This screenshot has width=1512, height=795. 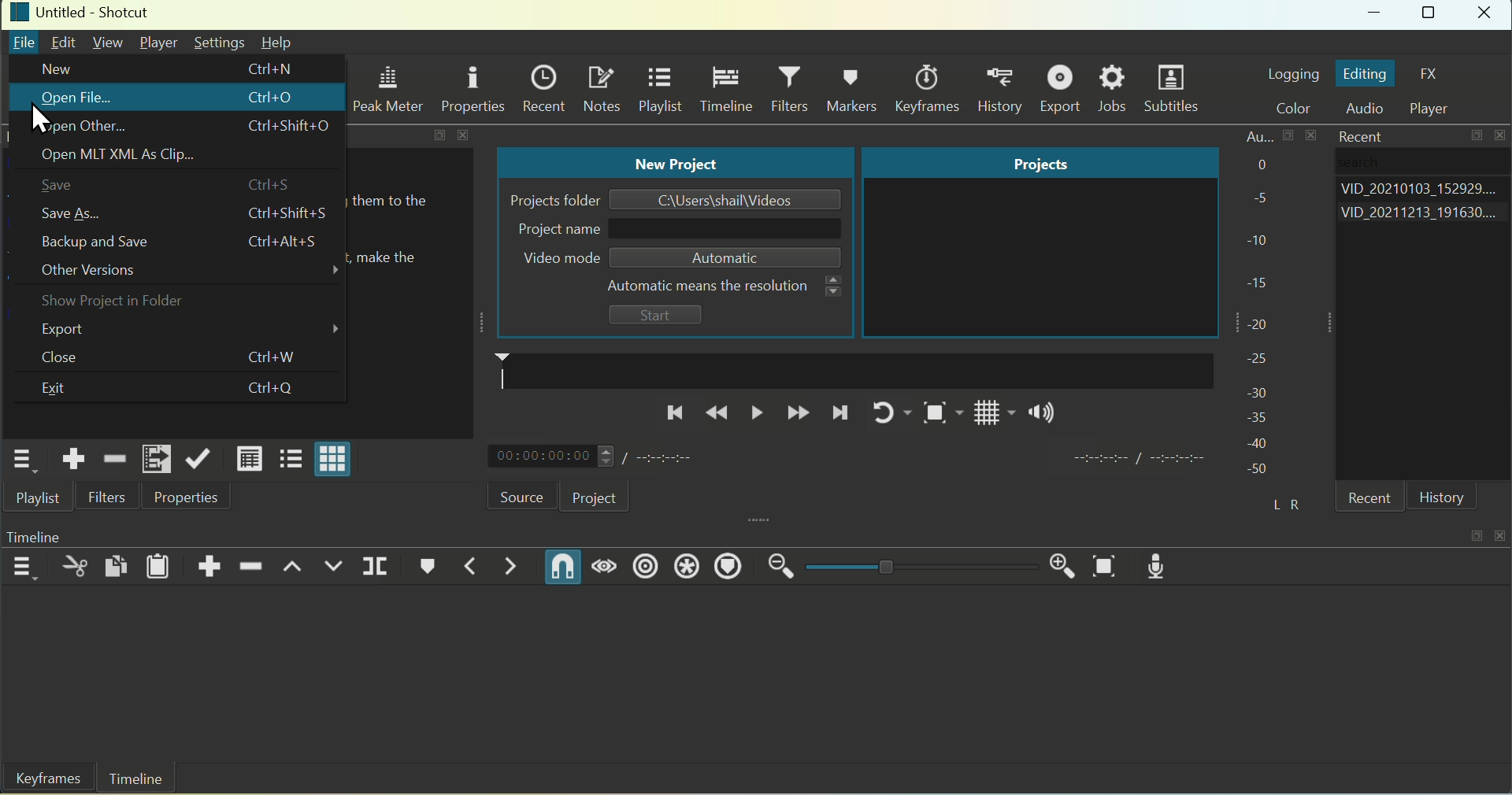 I want to click on Timeline, so click(x=136, y=779).